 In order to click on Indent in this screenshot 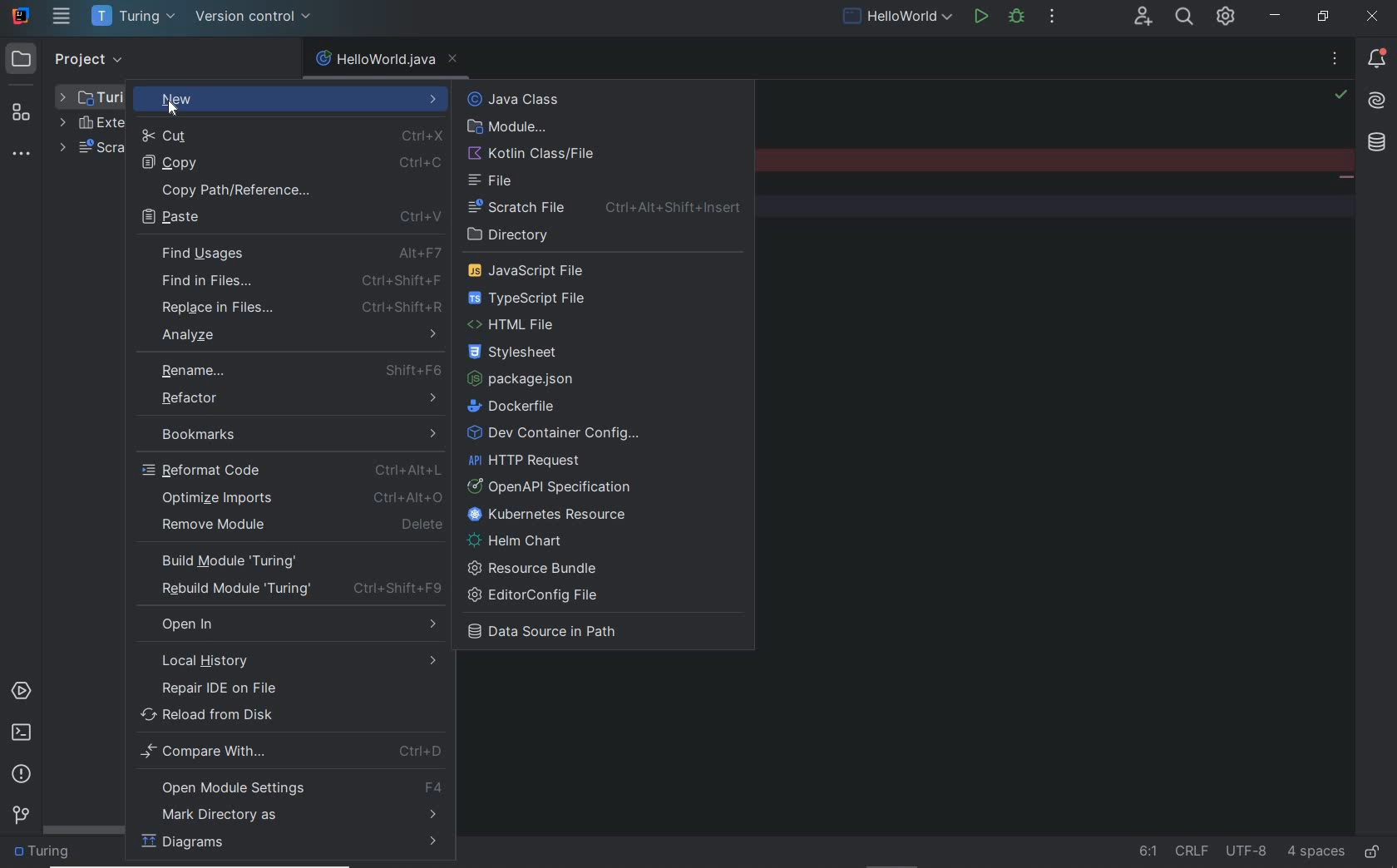, I will do `click(1316, 853)`.